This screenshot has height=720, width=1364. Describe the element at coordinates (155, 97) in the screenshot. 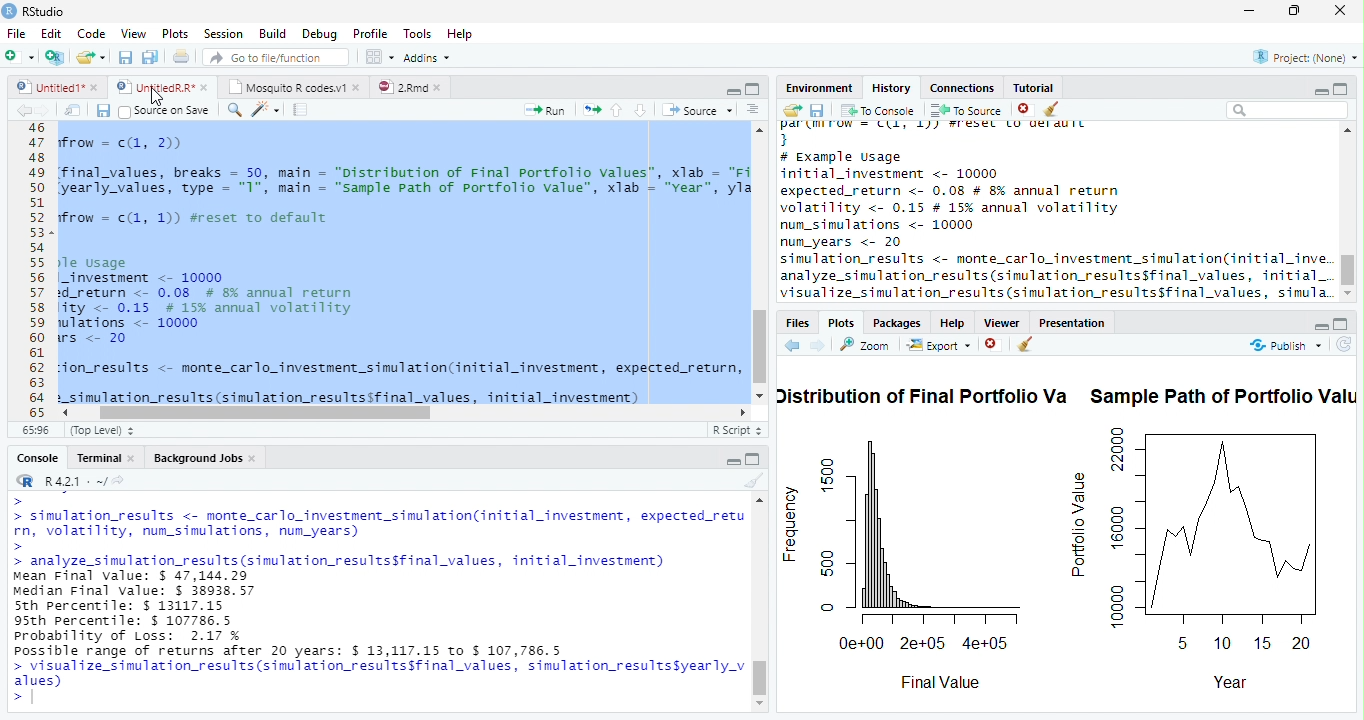

I see `Mouse Cursor` at that location.